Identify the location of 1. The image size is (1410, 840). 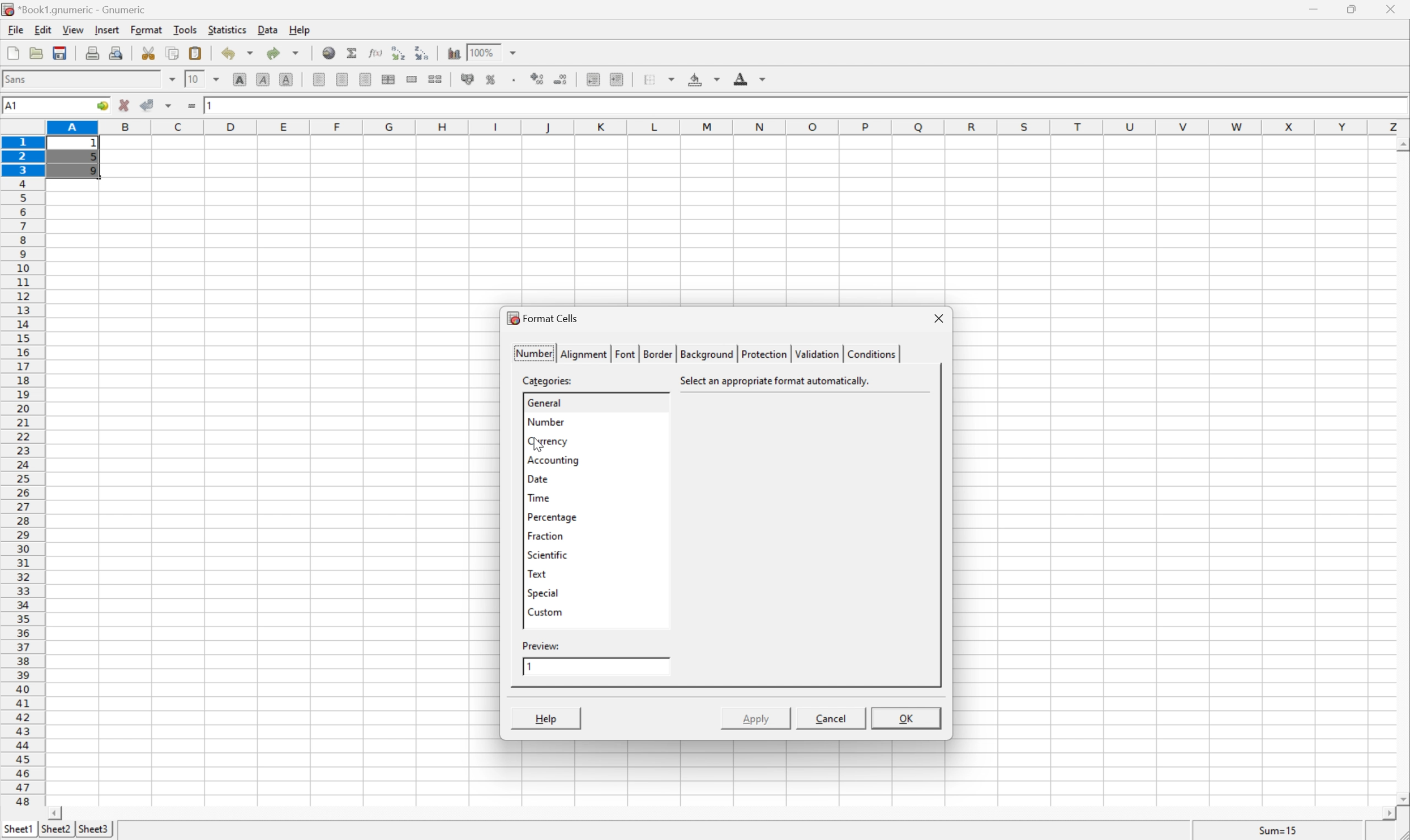
(212, 104).